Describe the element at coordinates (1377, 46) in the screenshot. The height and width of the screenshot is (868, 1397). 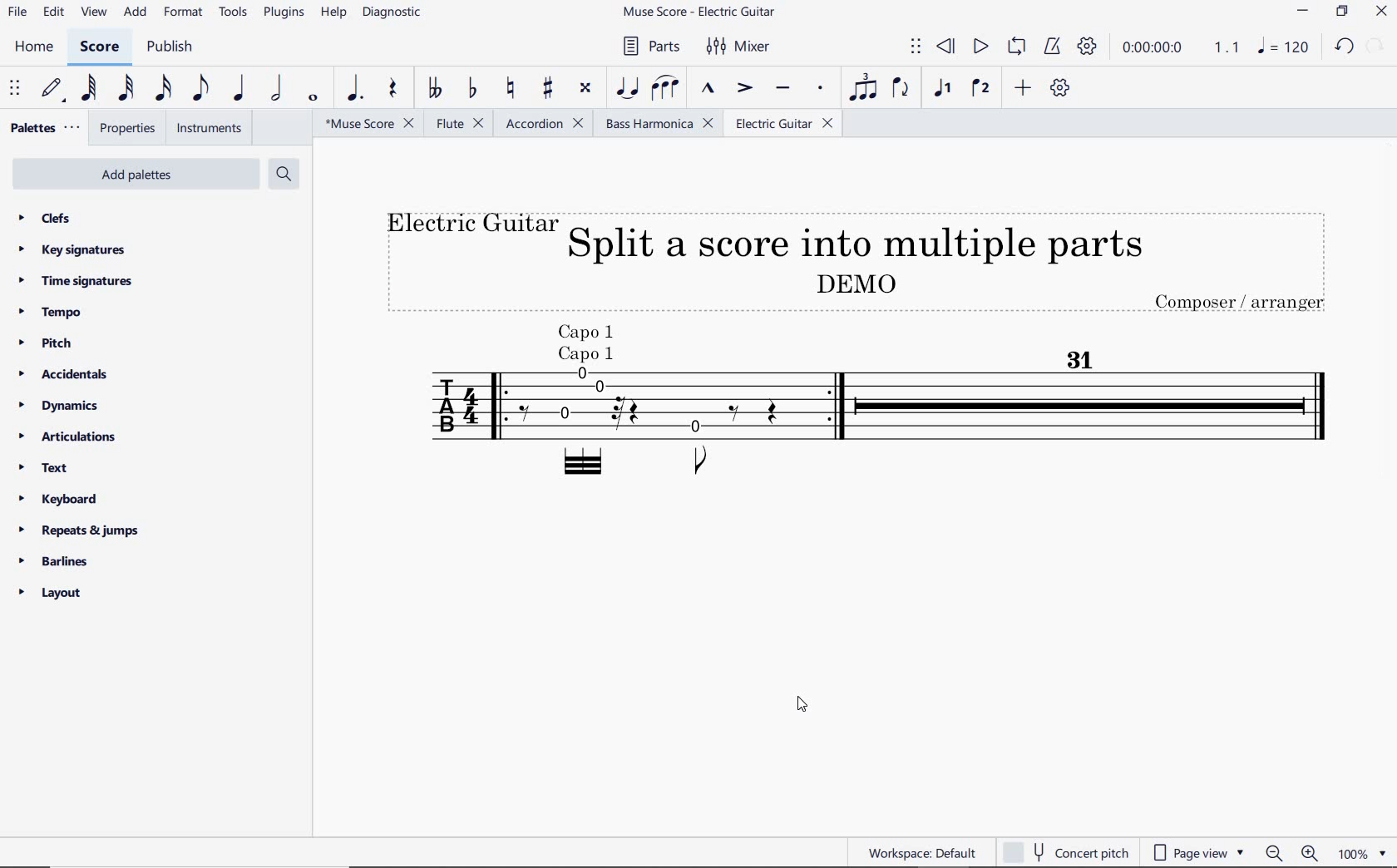
I see `REDO` at that location.